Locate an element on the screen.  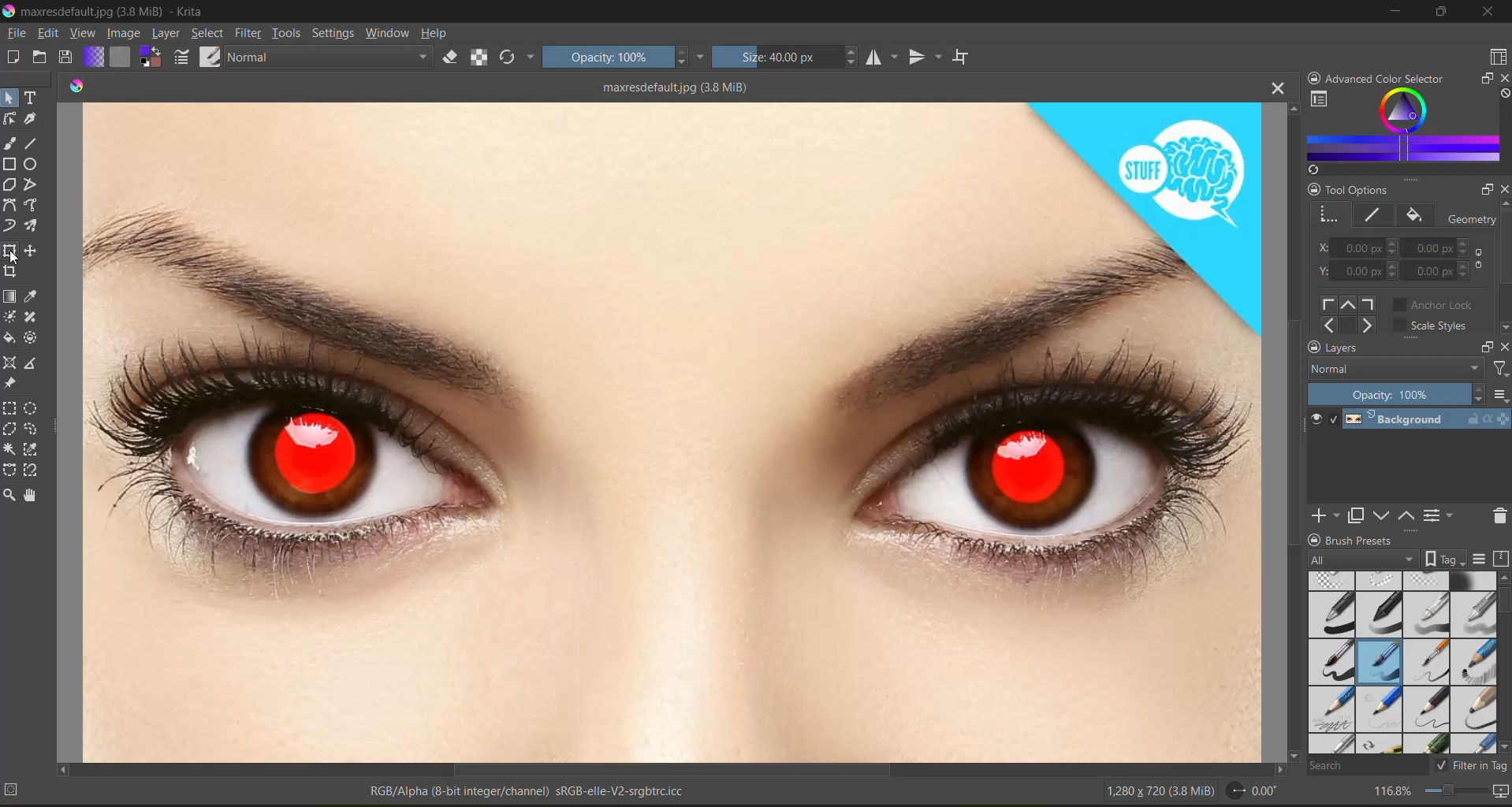
brush presets is located at coordinates (1398, 664).